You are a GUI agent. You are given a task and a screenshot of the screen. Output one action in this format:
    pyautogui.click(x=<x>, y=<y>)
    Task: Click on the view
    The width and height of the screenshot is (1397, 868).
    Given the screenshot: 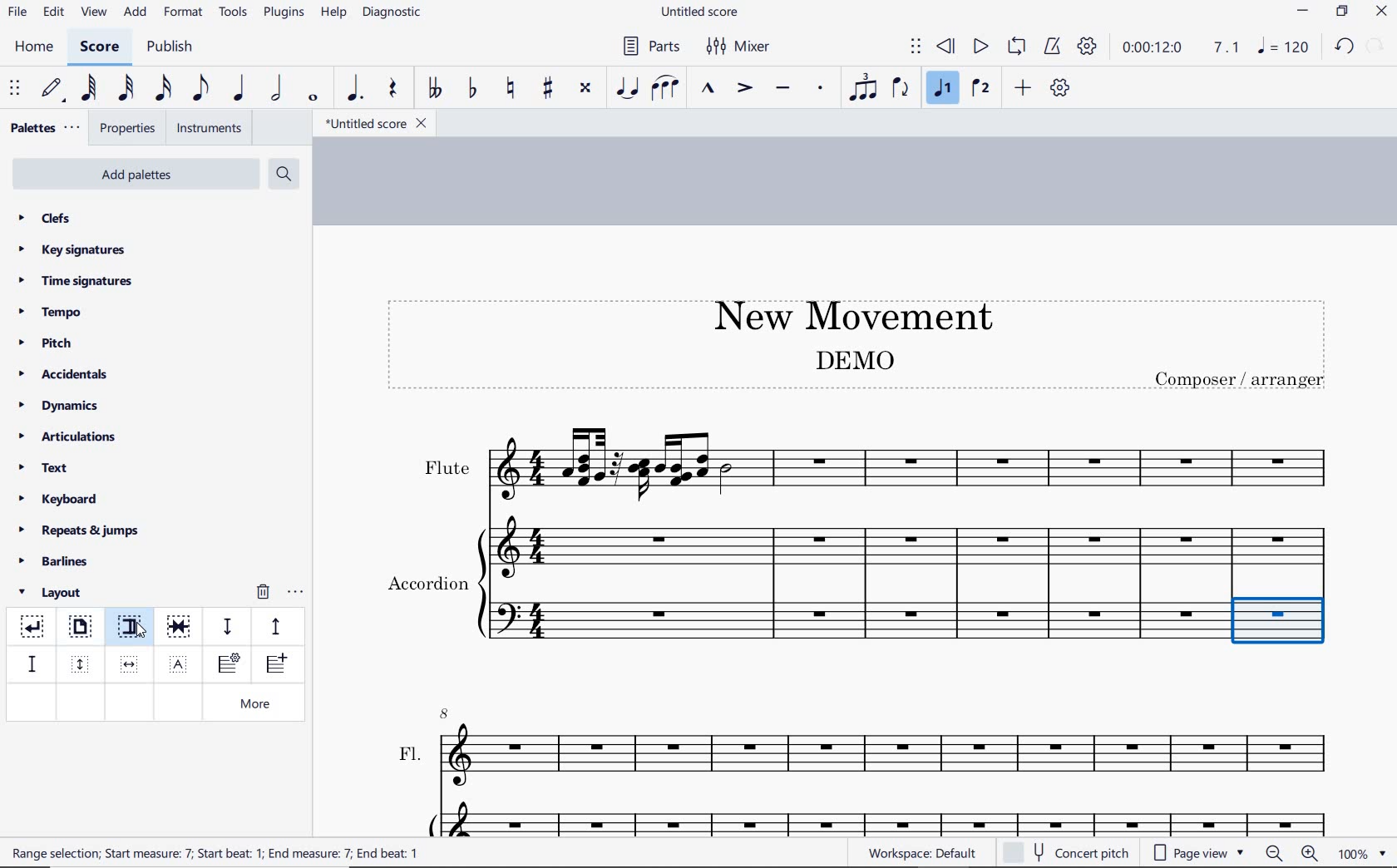 What is the action you would take?
    pyautogui.click(x=91, y=13)
    